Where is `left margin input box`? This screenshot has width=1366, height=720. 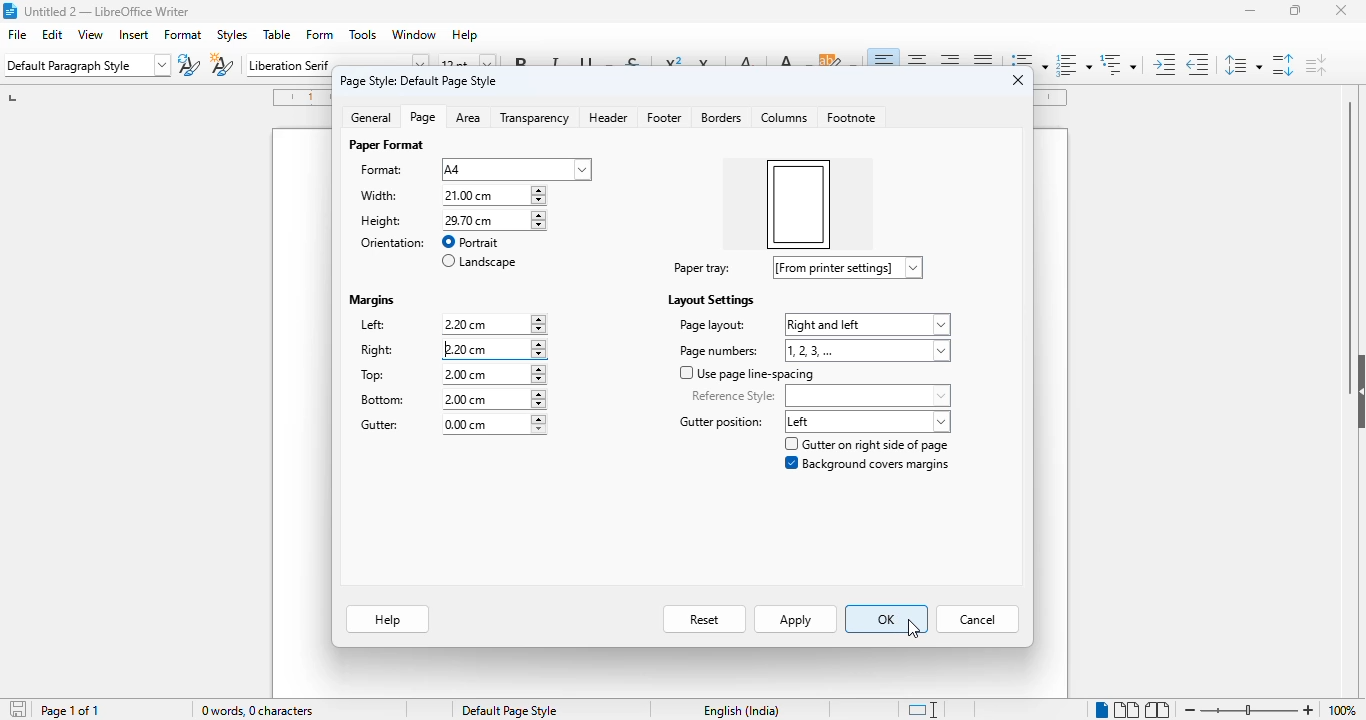 left margin input box is located at coordinates (471, 323).